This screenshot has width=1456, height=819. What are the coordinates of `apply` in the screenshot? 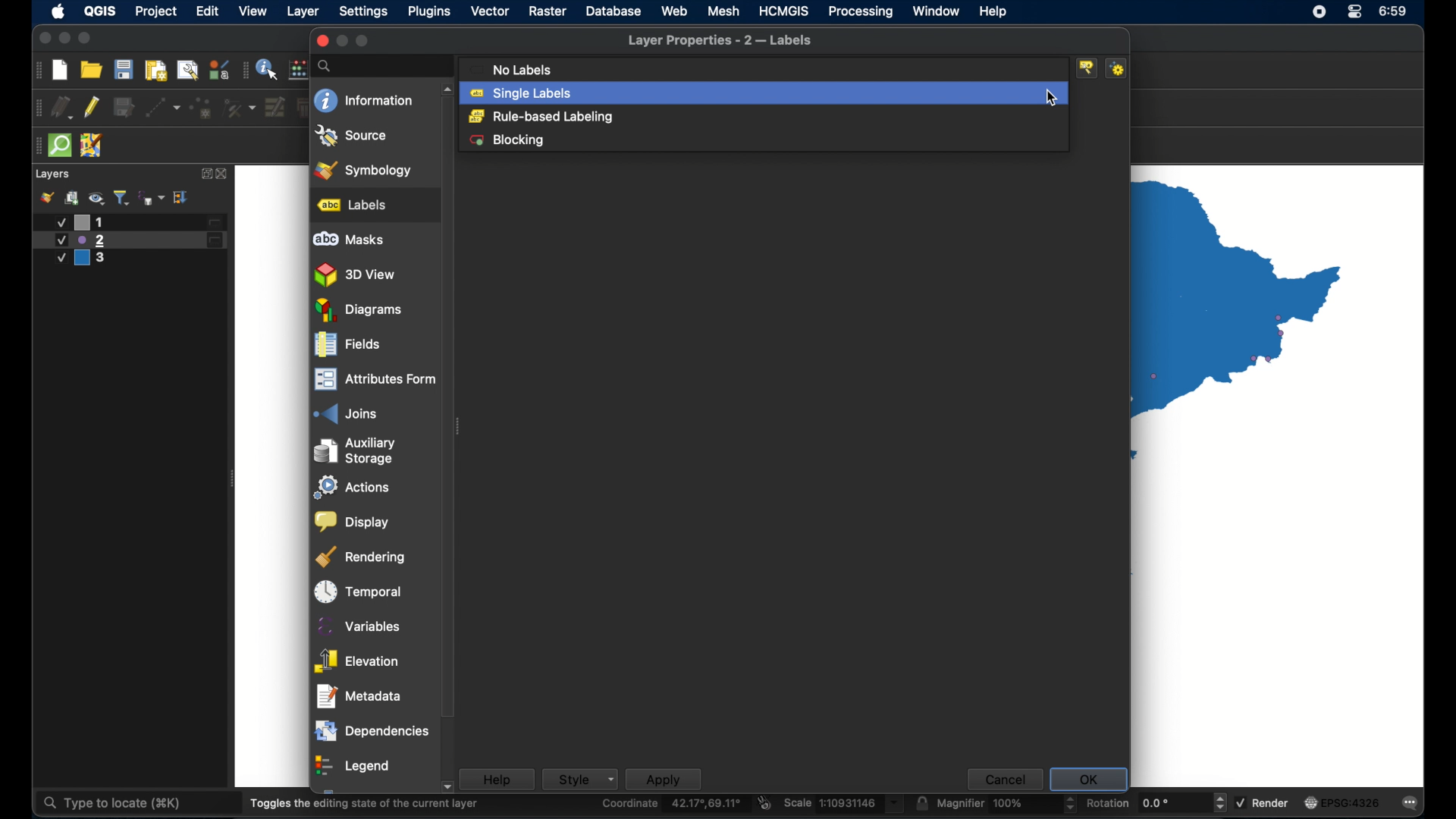 It's located at (664, 779).